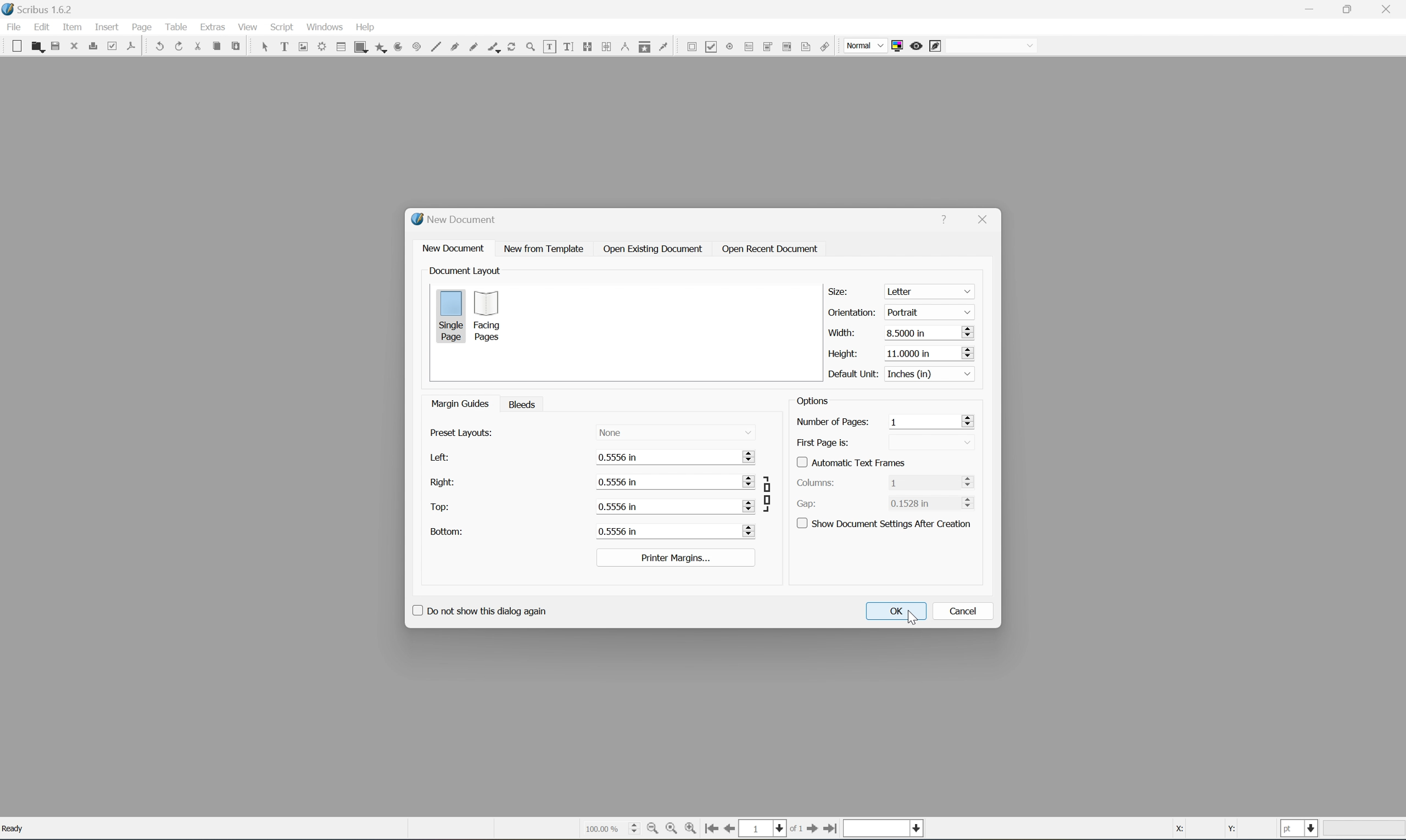 Image resolution: width=1406 pixels, height=840 pixels. I want to click on orientation:, so click(853, 312).